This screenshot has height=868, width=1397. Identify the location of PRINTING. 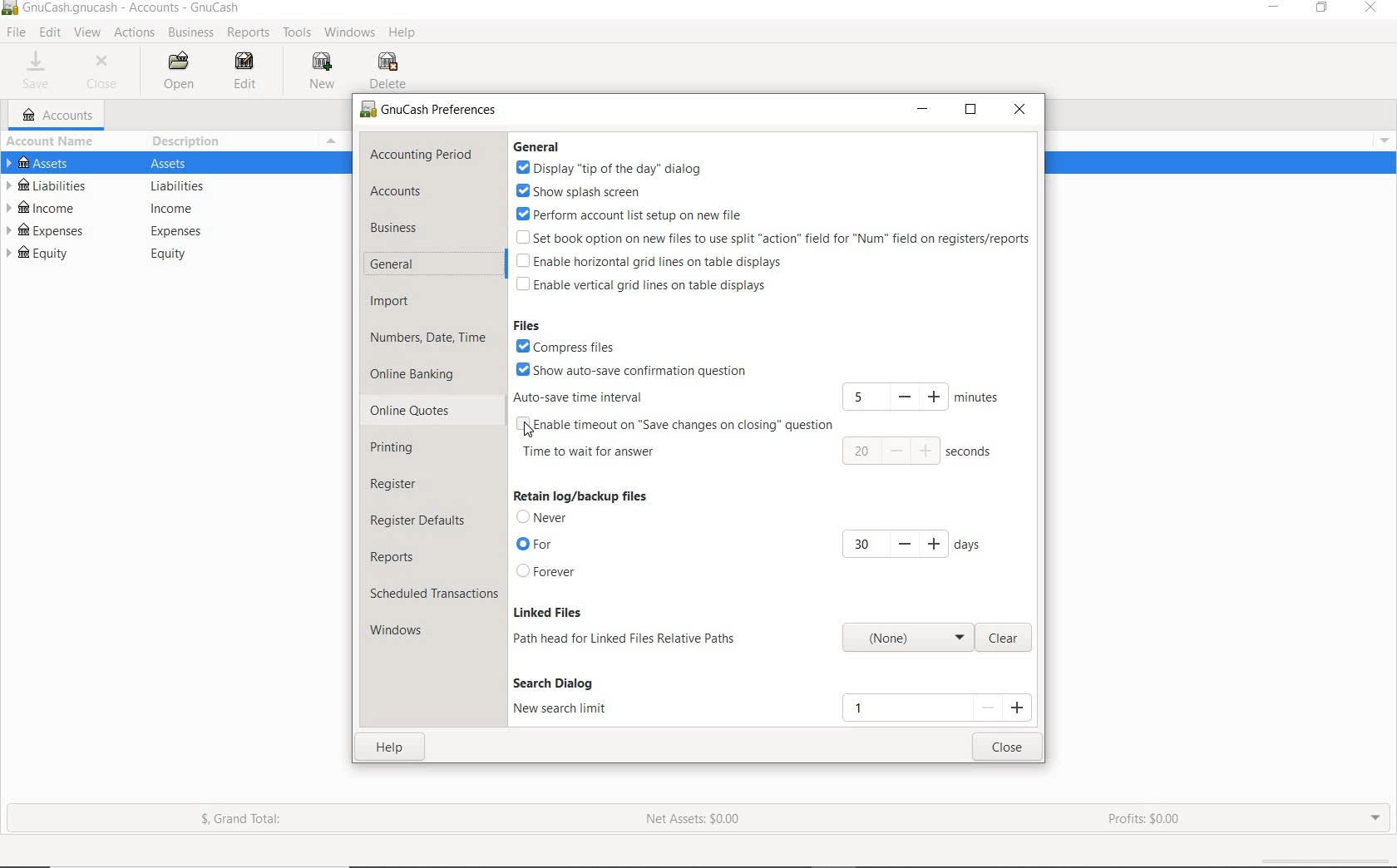
(406, 447).